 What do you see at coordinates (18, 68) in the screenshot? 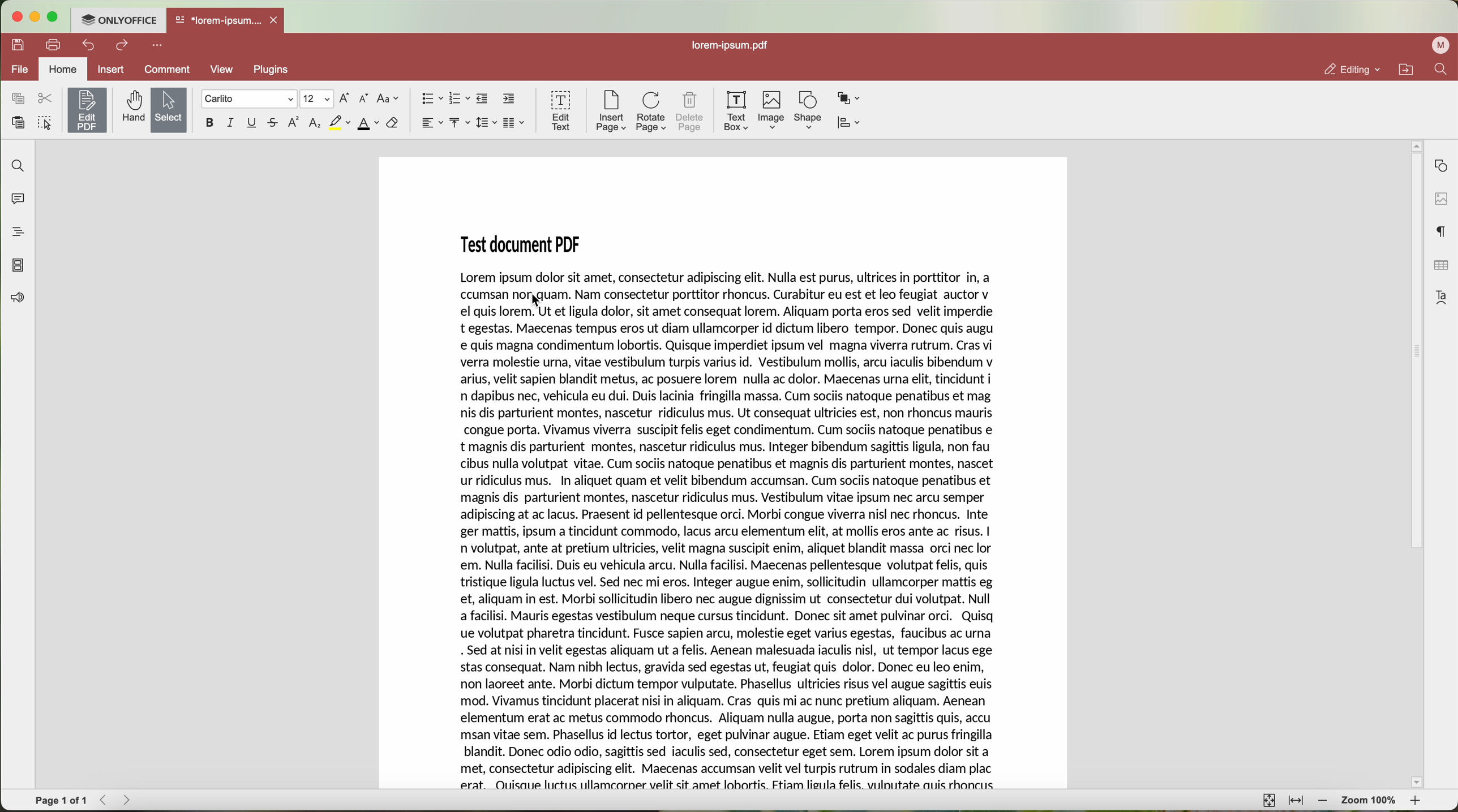
I see `file` at bounding box center [18, 68].